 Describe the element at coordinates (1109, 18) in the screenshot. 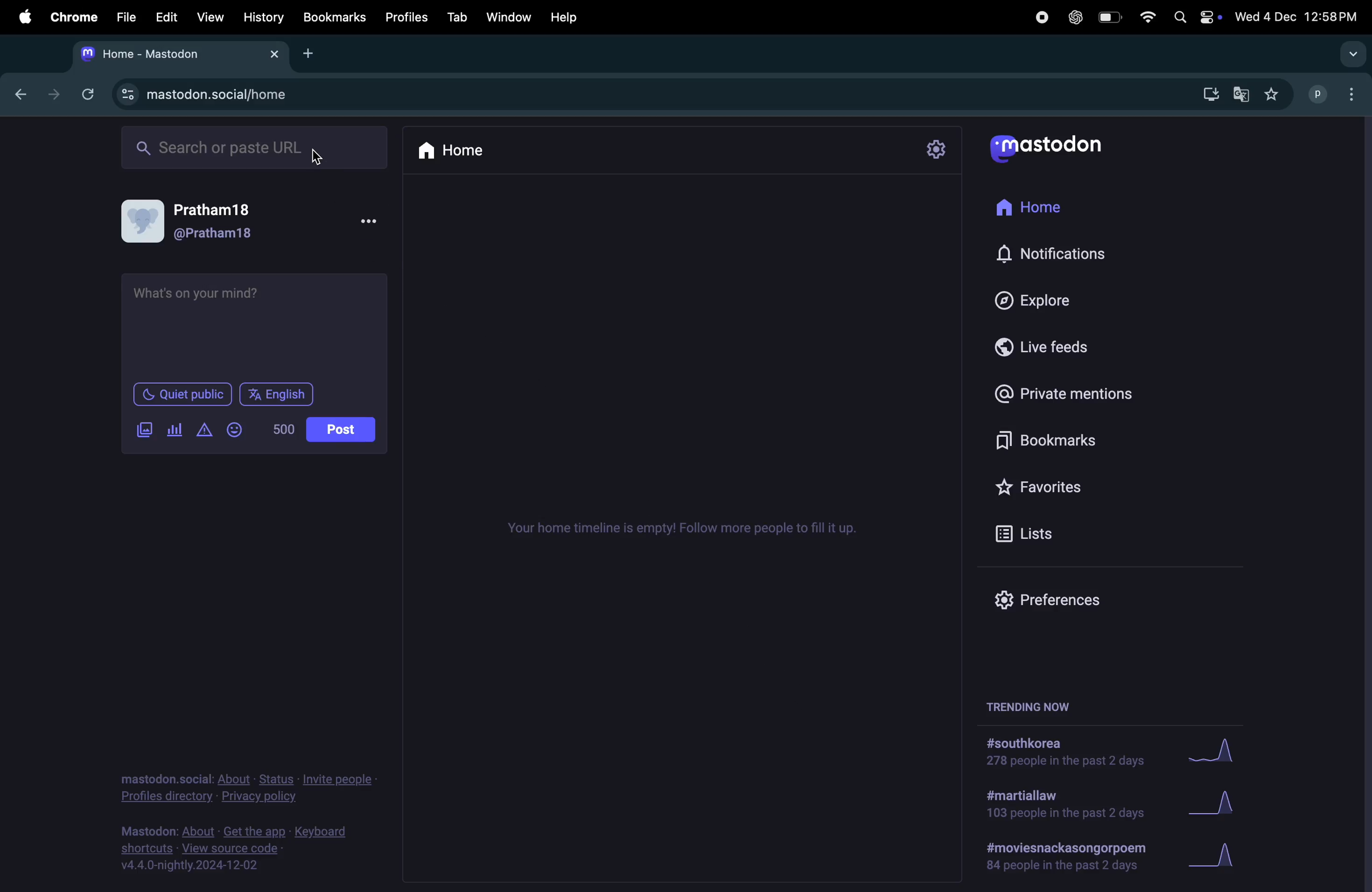

I see `battery` at that location.